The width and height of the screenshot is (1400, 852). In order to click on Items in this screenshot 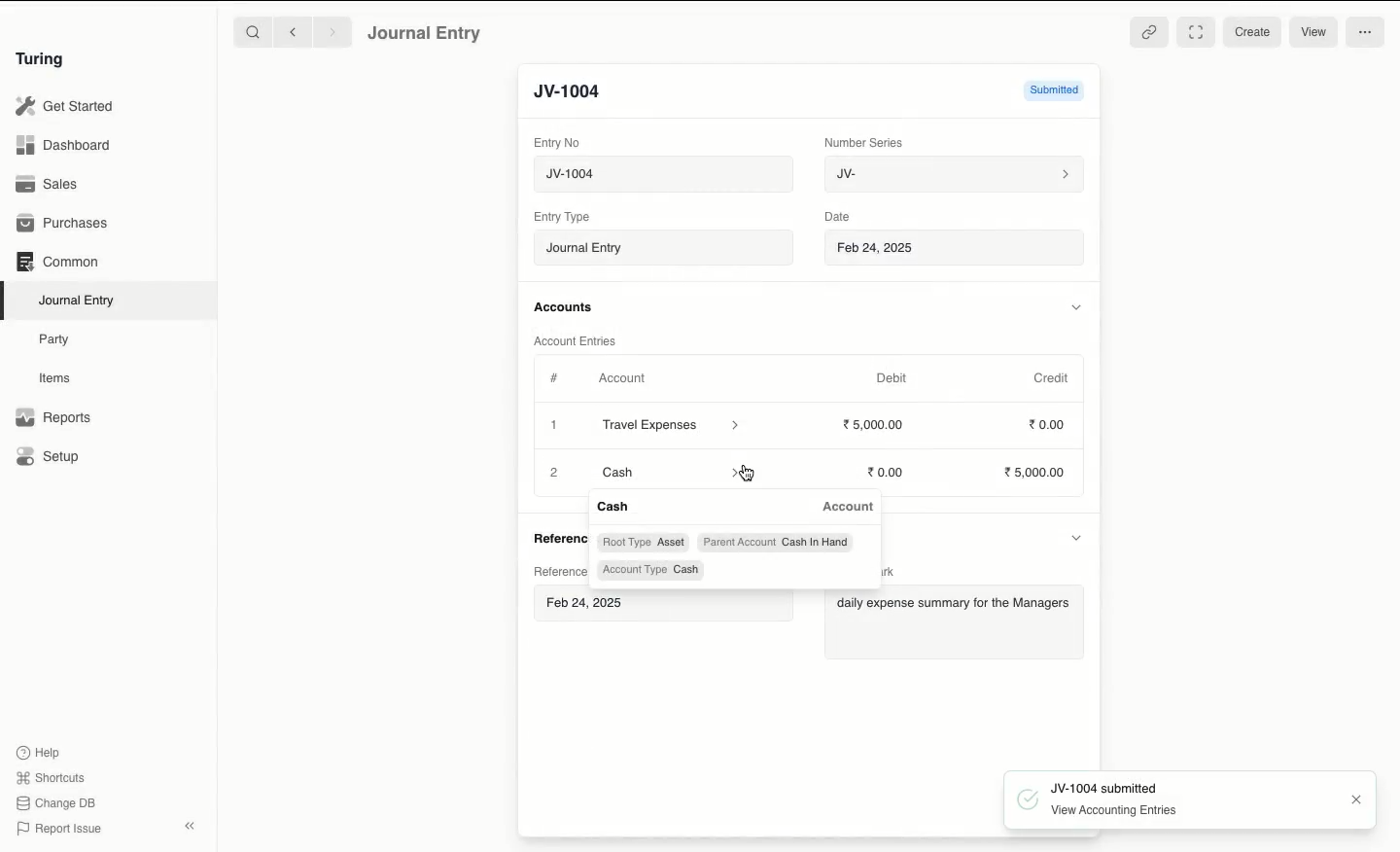, I will do `click(55, 377)`.